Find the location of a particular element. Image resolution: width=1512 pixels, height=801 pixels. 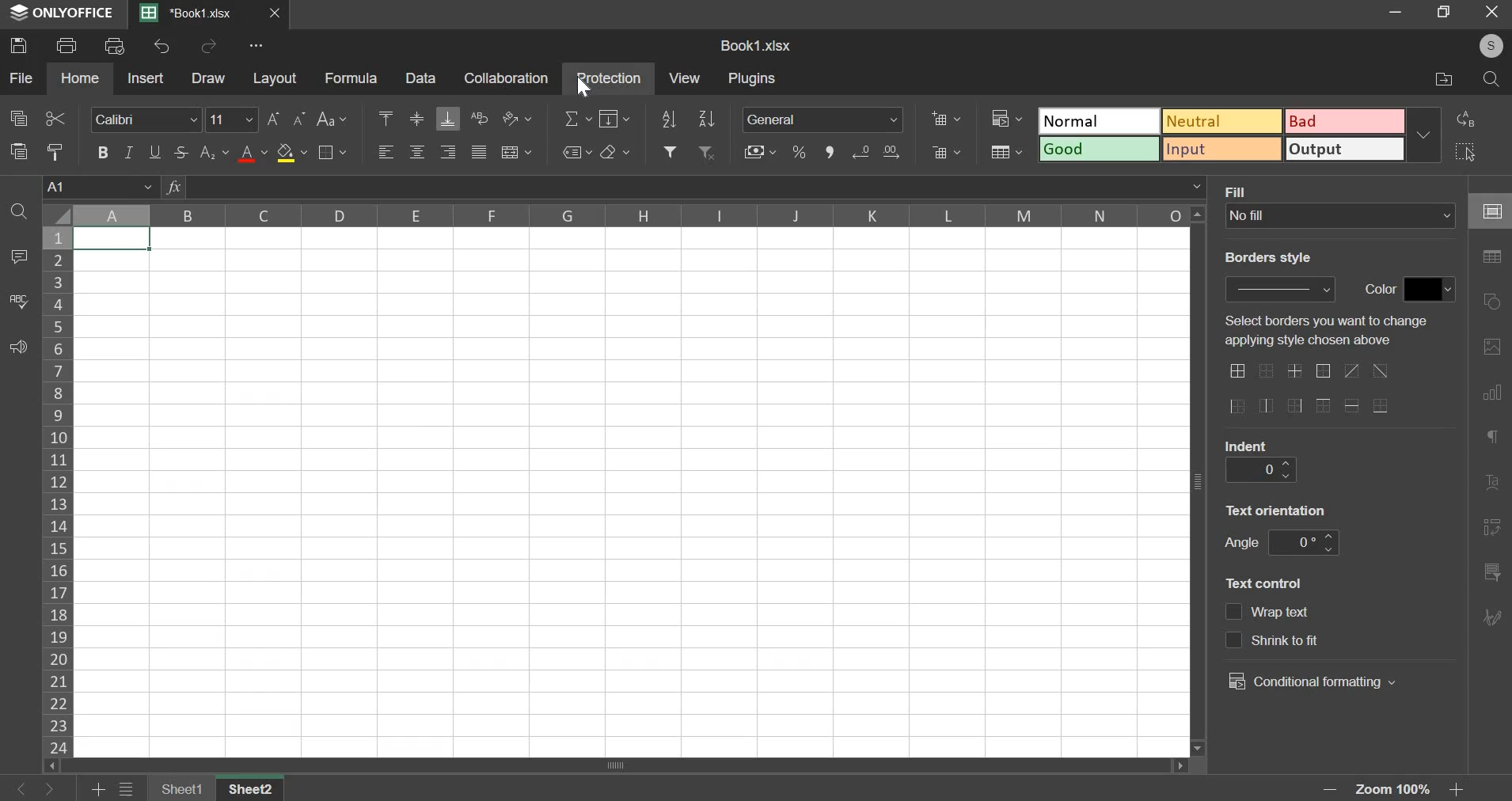

strikethrough is located at coordinates (180, 153).